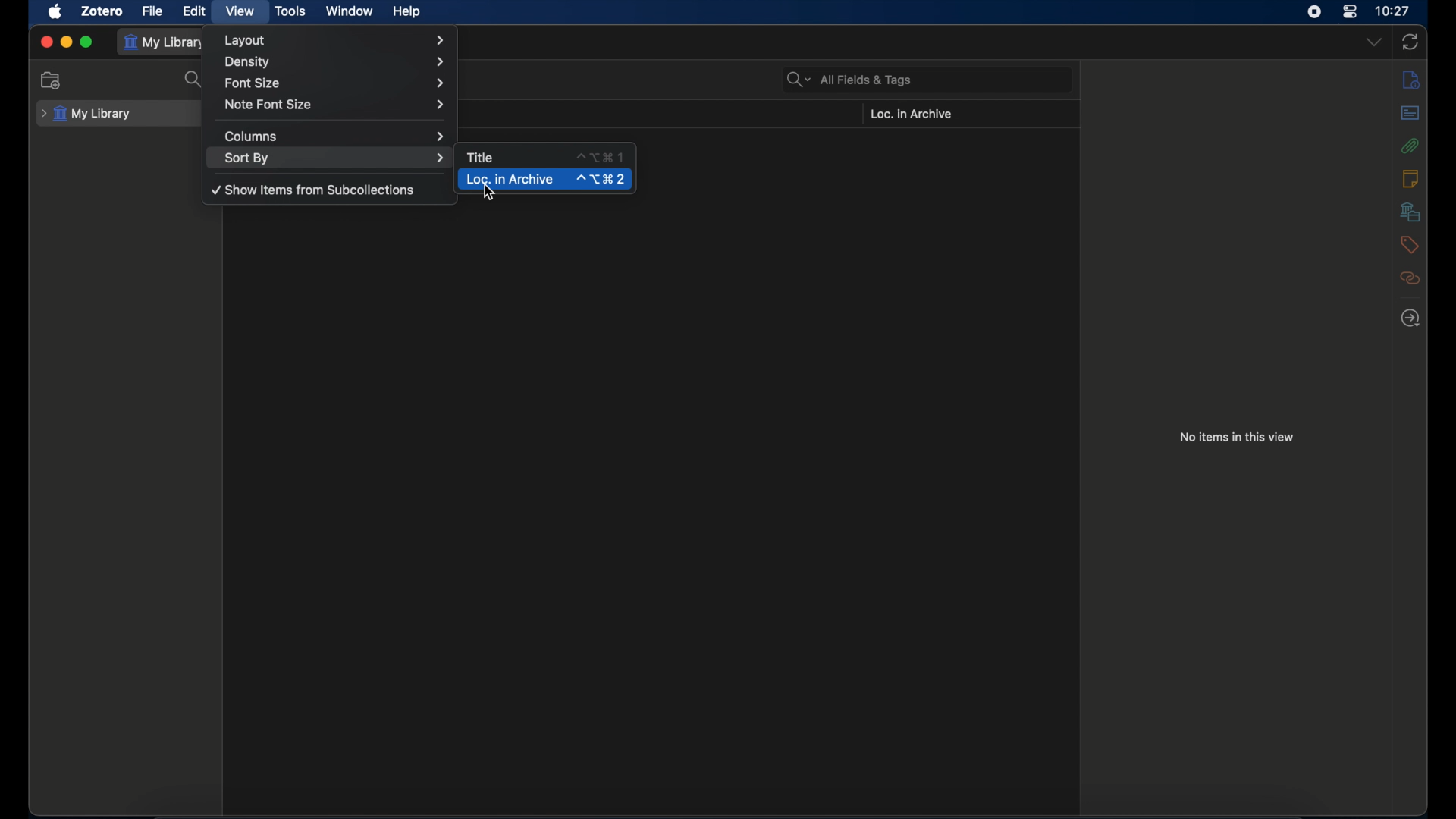 The image size is (1456, 819). I want to click on my library, so click(86, 115).